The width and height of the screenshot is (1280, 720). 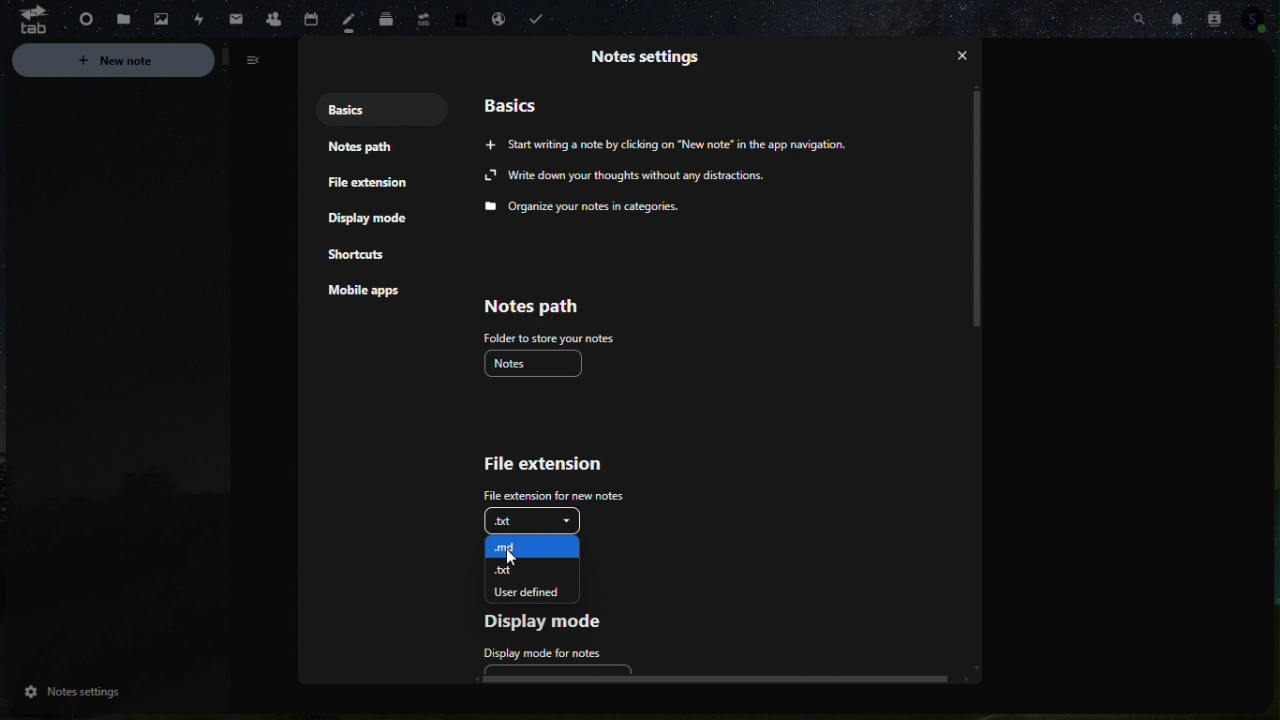 What do you see at coordinates (541, 568) in the screenshot?
I see `.txt` at bounding box center [541, 568].